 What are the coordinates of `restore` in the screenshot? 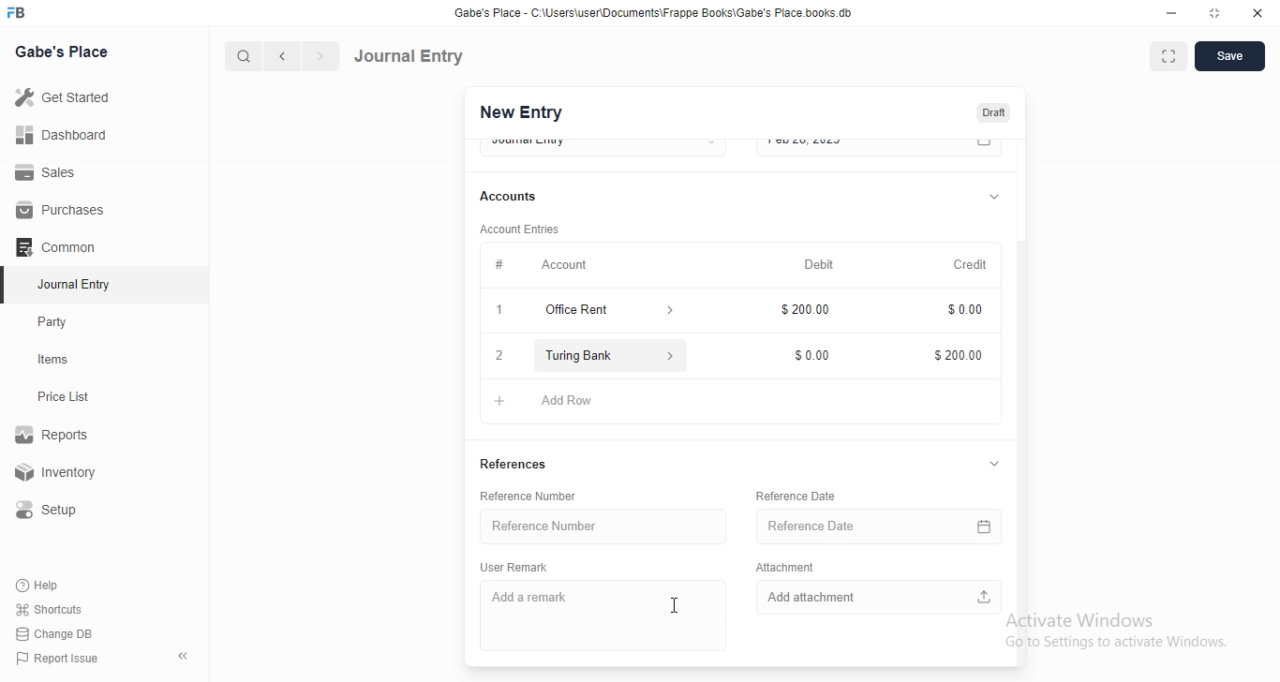 It's located at (1218, 13).